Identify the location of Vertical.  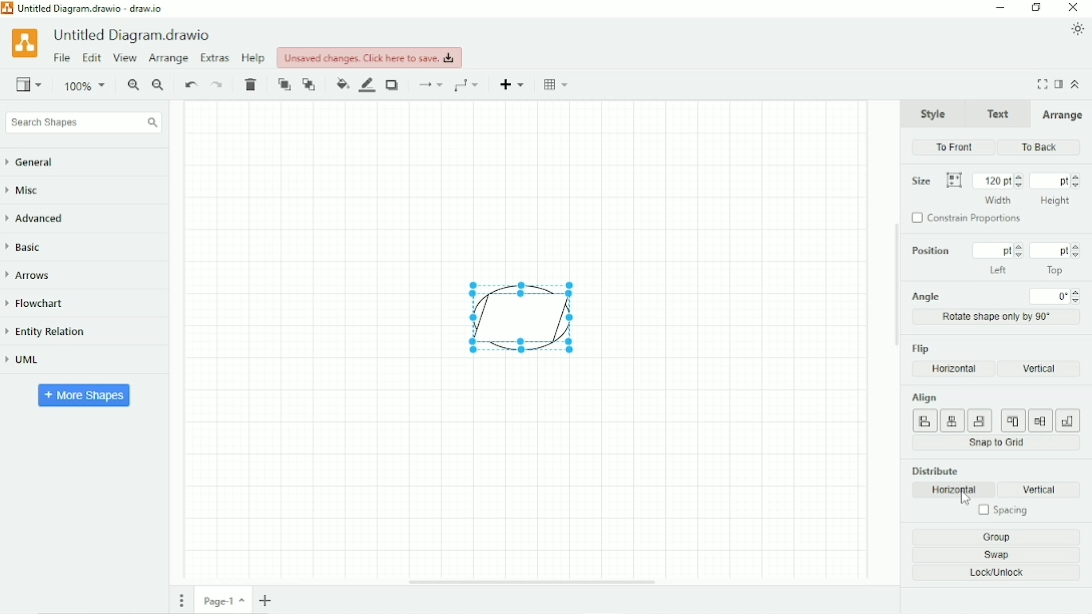
(1045, 490).